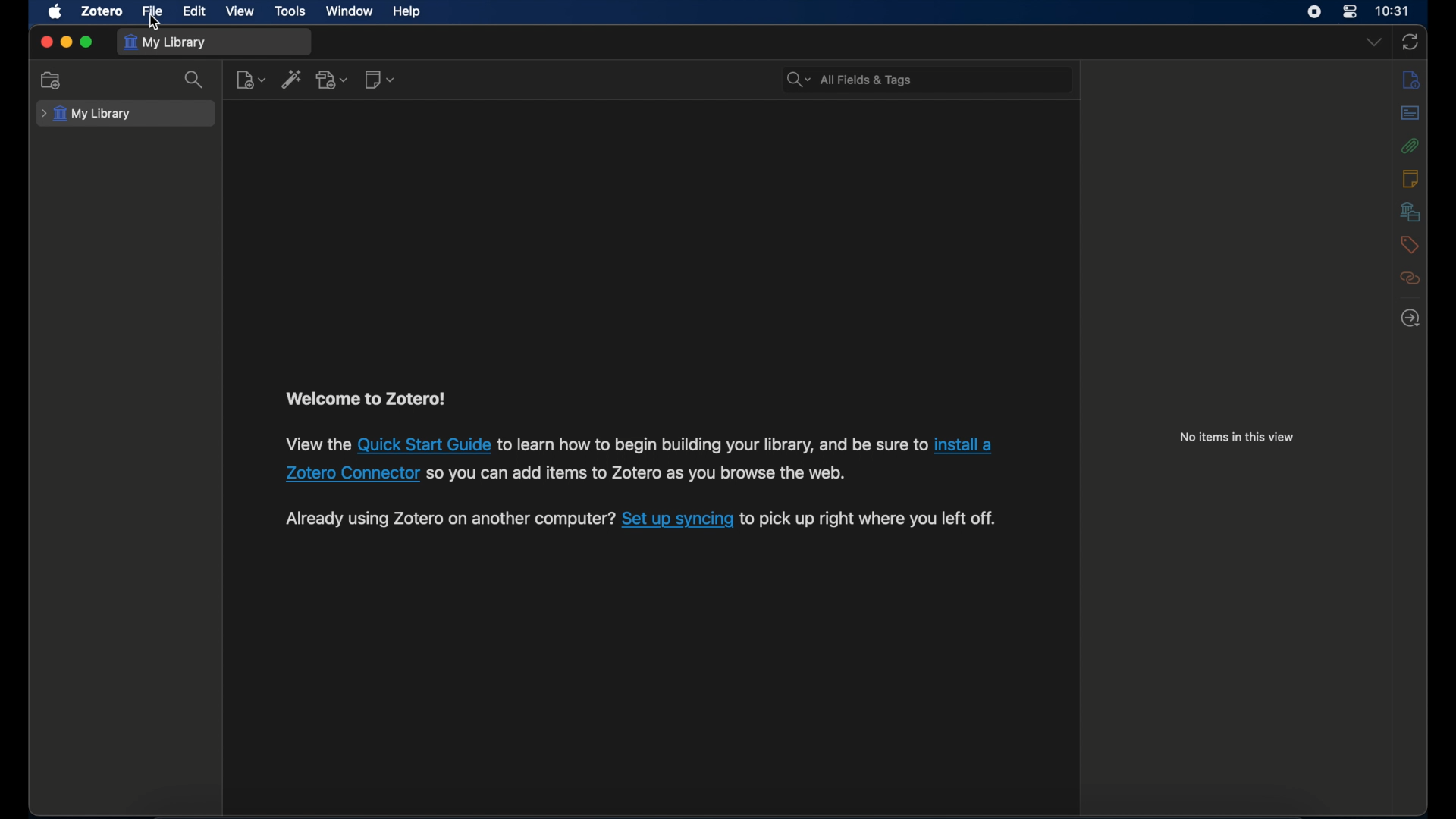 This screenshot has height=819, width=1456. What do you see at coordinates (316, 444) in the screenshot?
I see `text` at bounding box center [316, 444].